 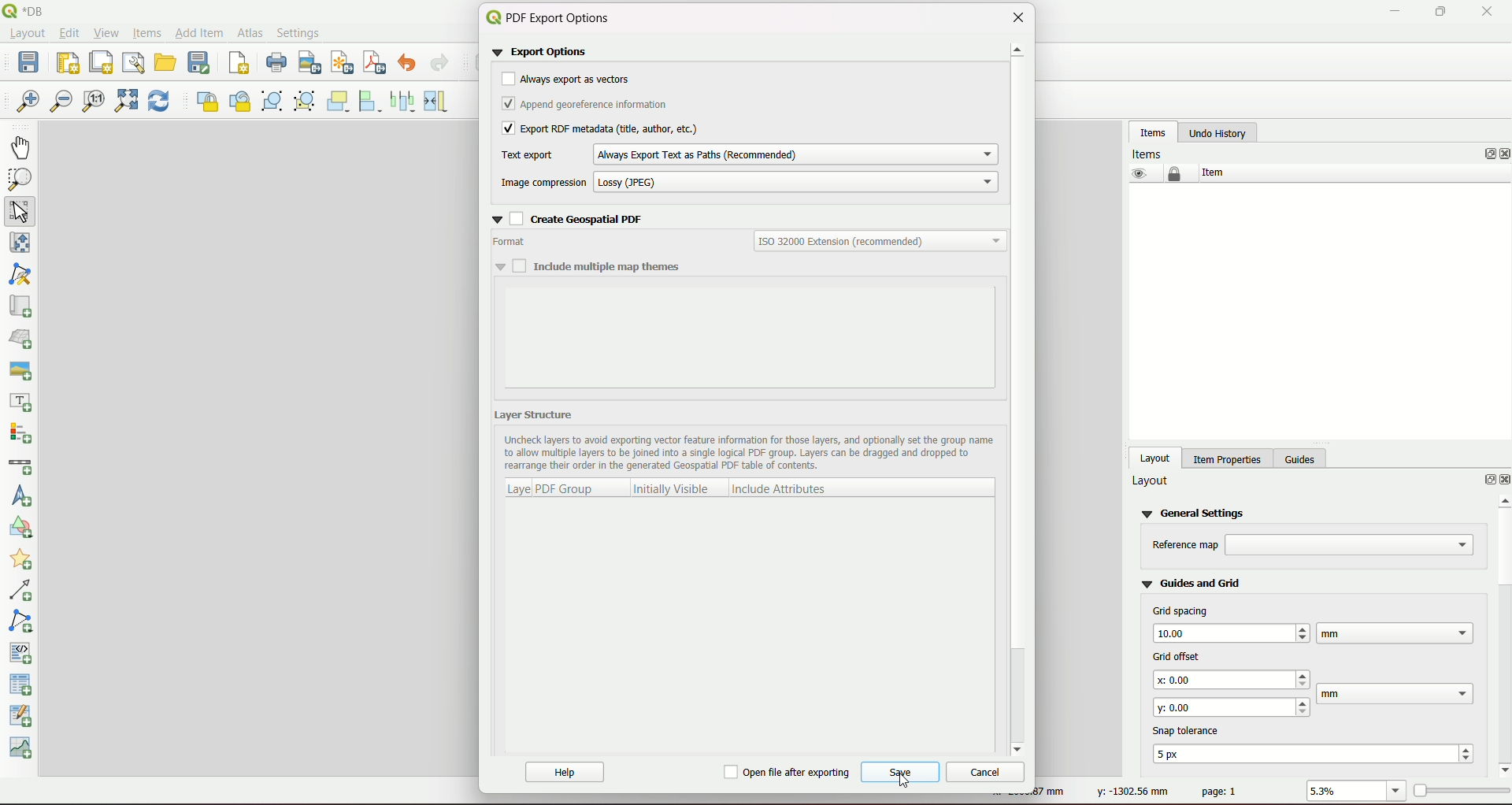 I want to click on dimension, so click(x=1055, y=792).